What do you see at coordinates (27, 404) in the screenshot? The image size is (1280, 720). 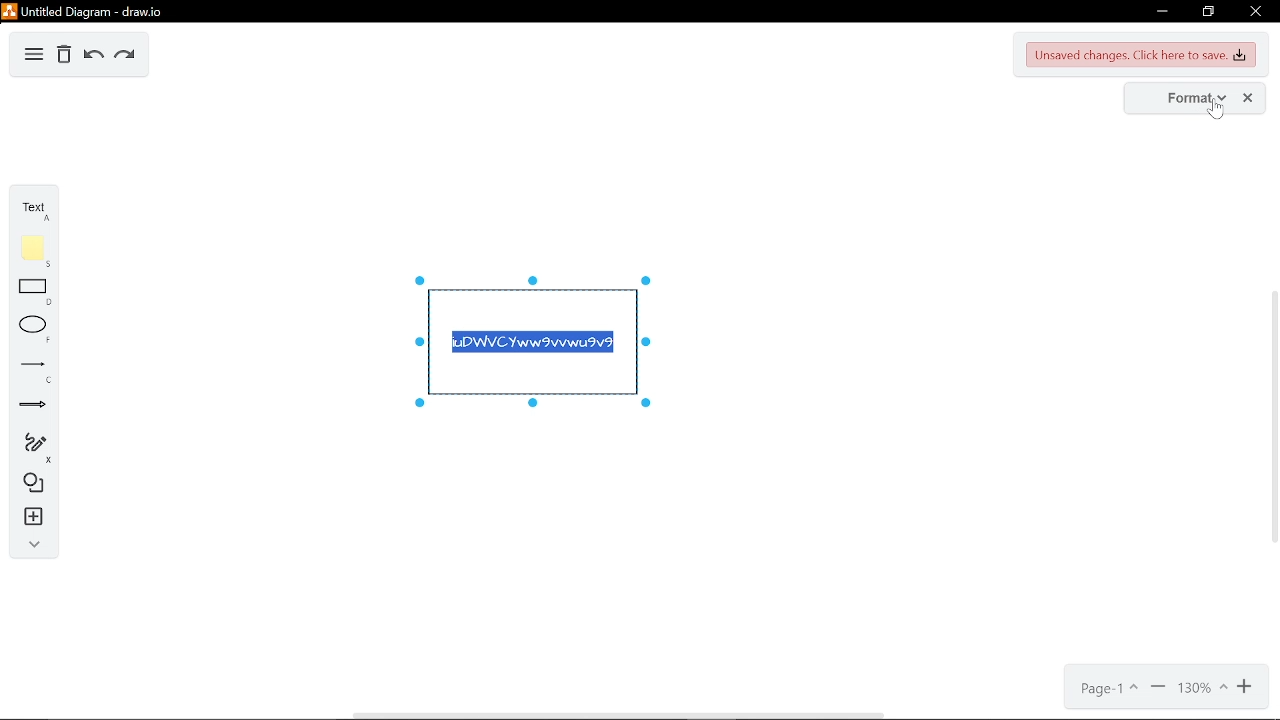 I see `arrows` at bounding box center [27, 404].